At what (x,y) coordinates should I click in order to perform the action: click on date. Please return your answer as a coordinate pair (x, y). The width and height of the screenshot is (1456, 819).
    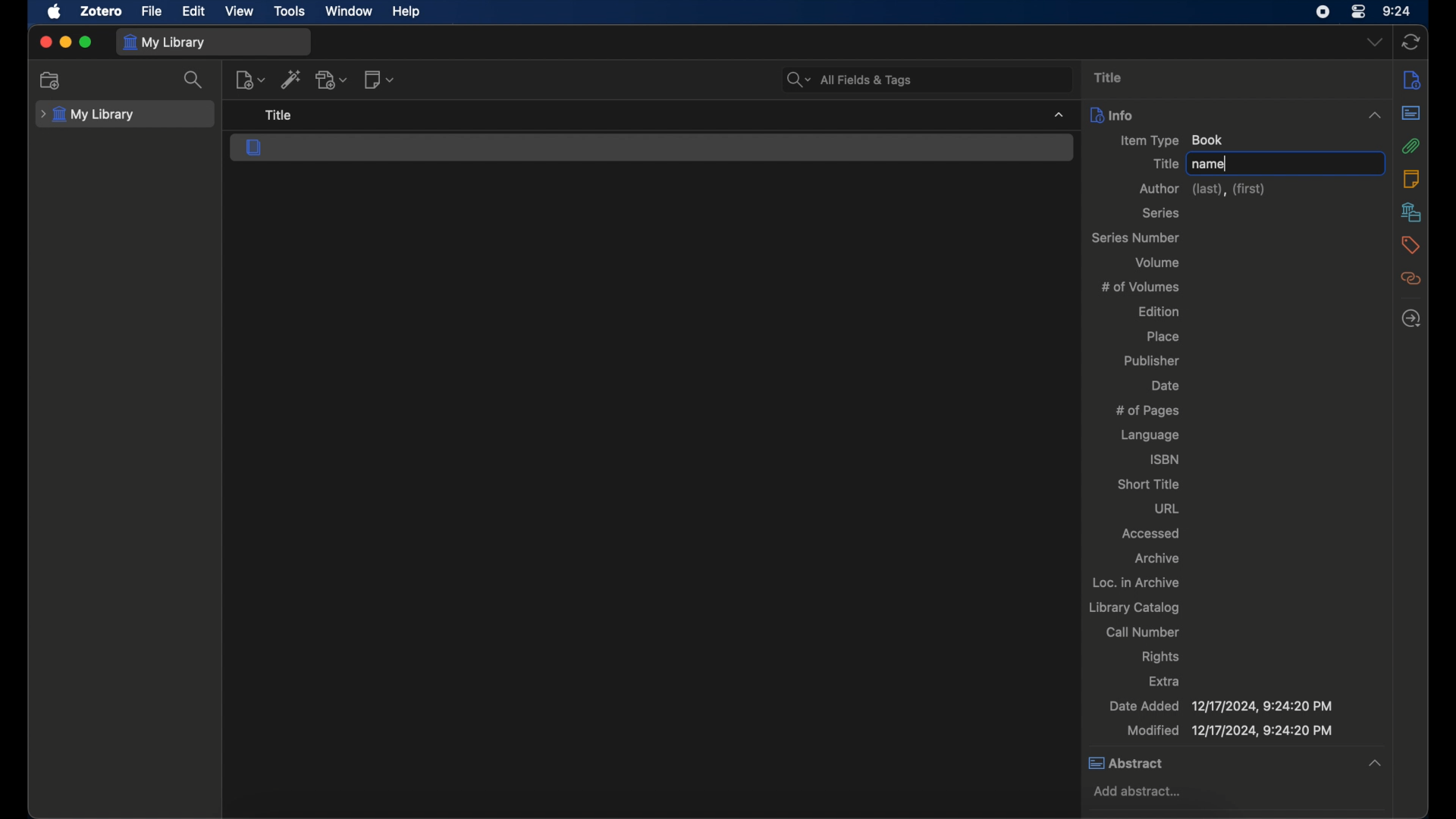
    Looking at the image, I should click on (1165, 384).